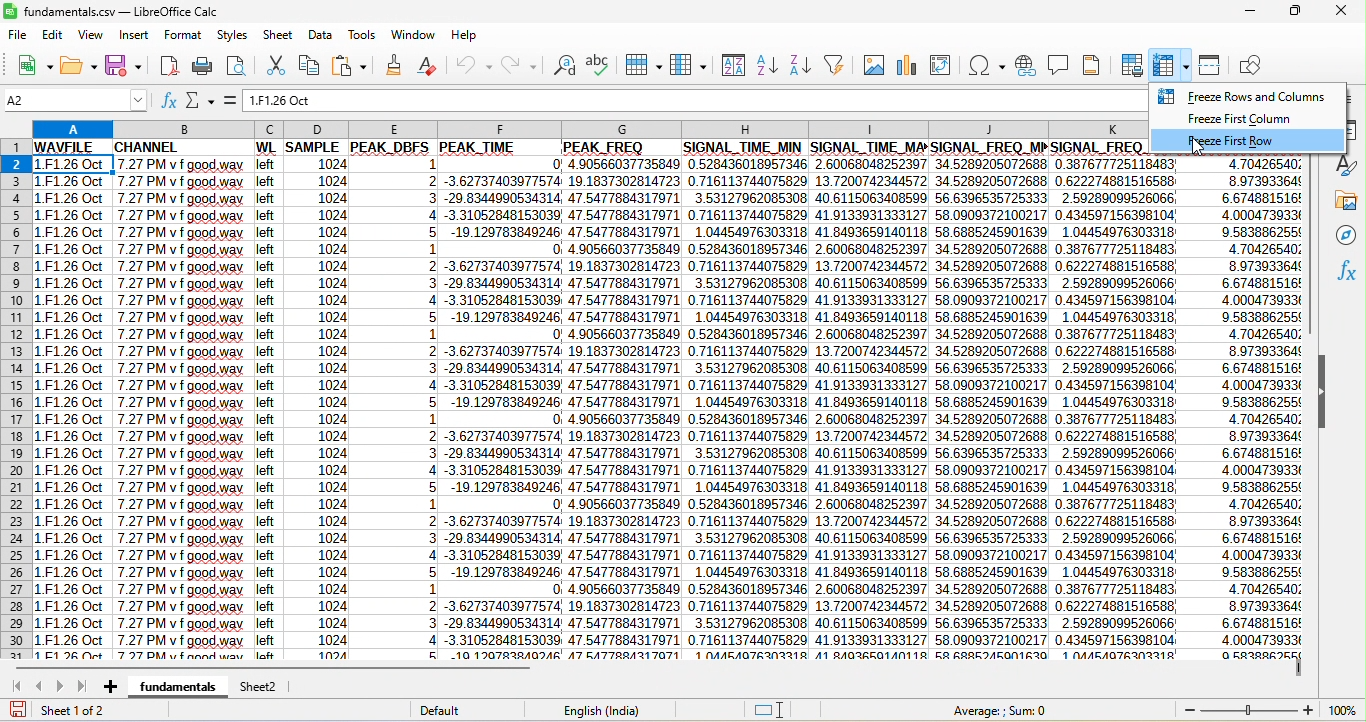 Image resolution: width=1366 pixels, height=722 pixels. I want to click on freeze rows and columns, so click(1246, 94).